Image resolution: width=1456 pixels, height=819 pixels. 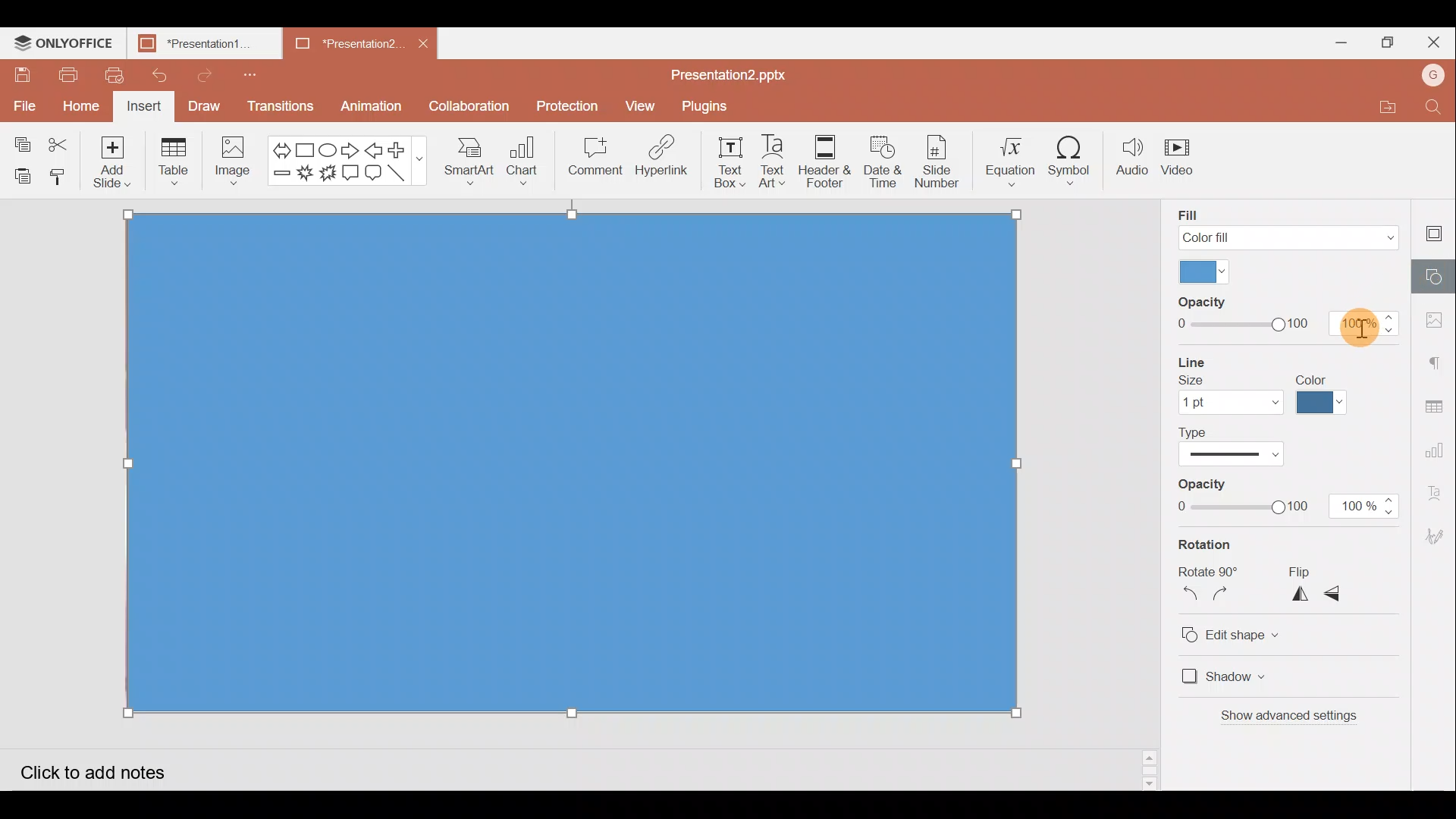 I want to click on Protection, so click(x=563, y=105).